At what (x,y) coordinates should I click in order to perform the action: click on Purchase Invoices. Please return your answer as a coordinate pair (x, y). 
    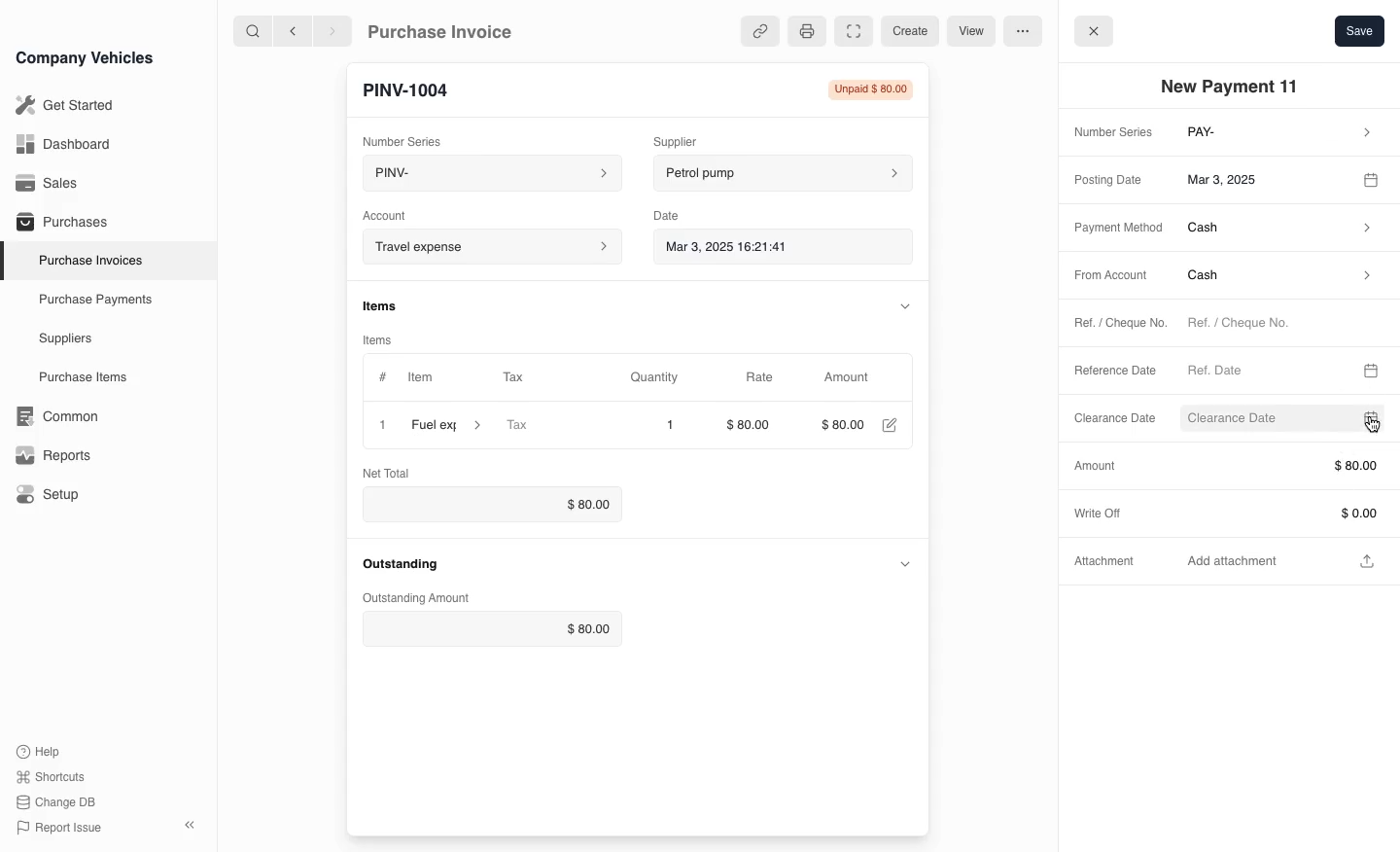
    Looking at the image, I should click on (87, 260).